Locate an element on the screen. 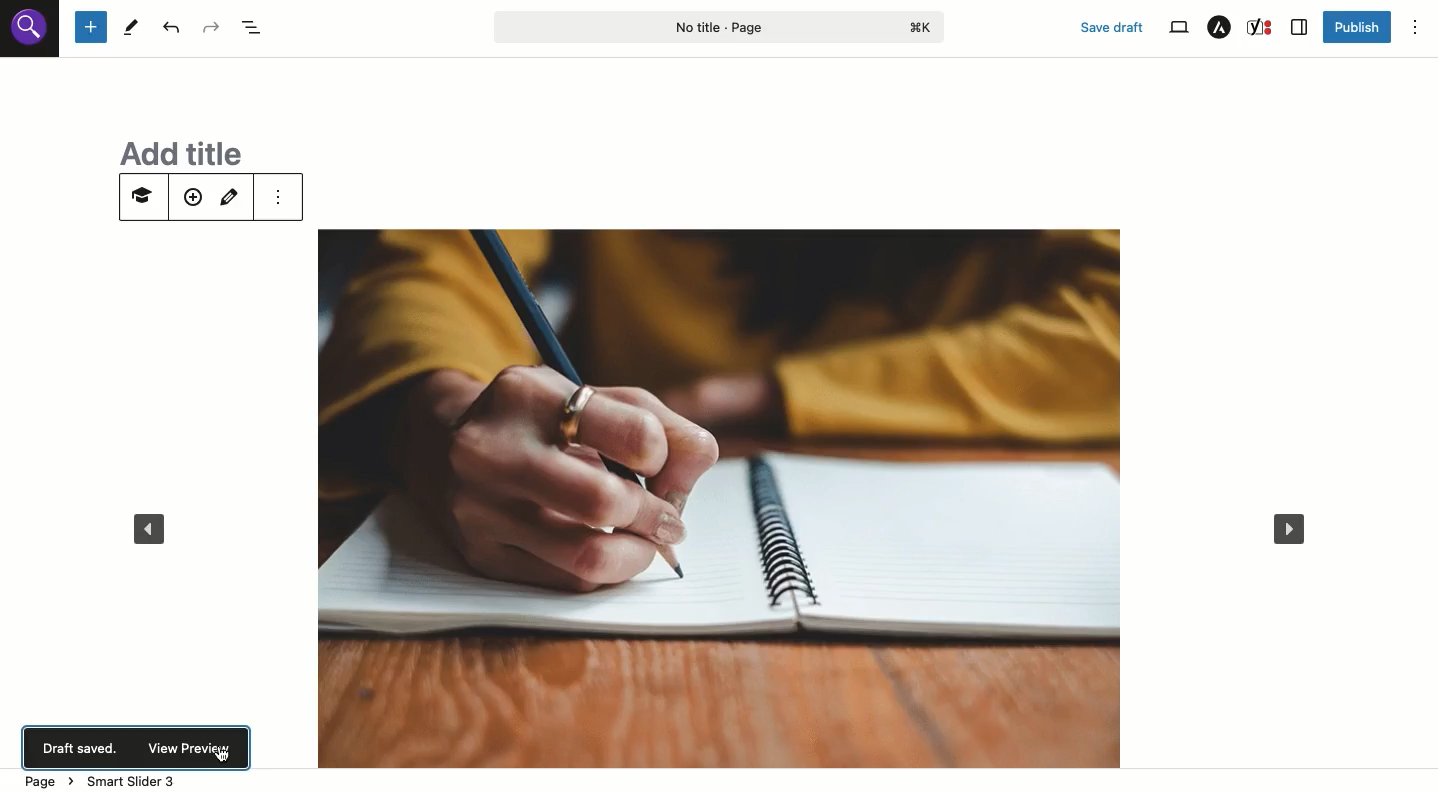  search is located at coordinates (31, 34).